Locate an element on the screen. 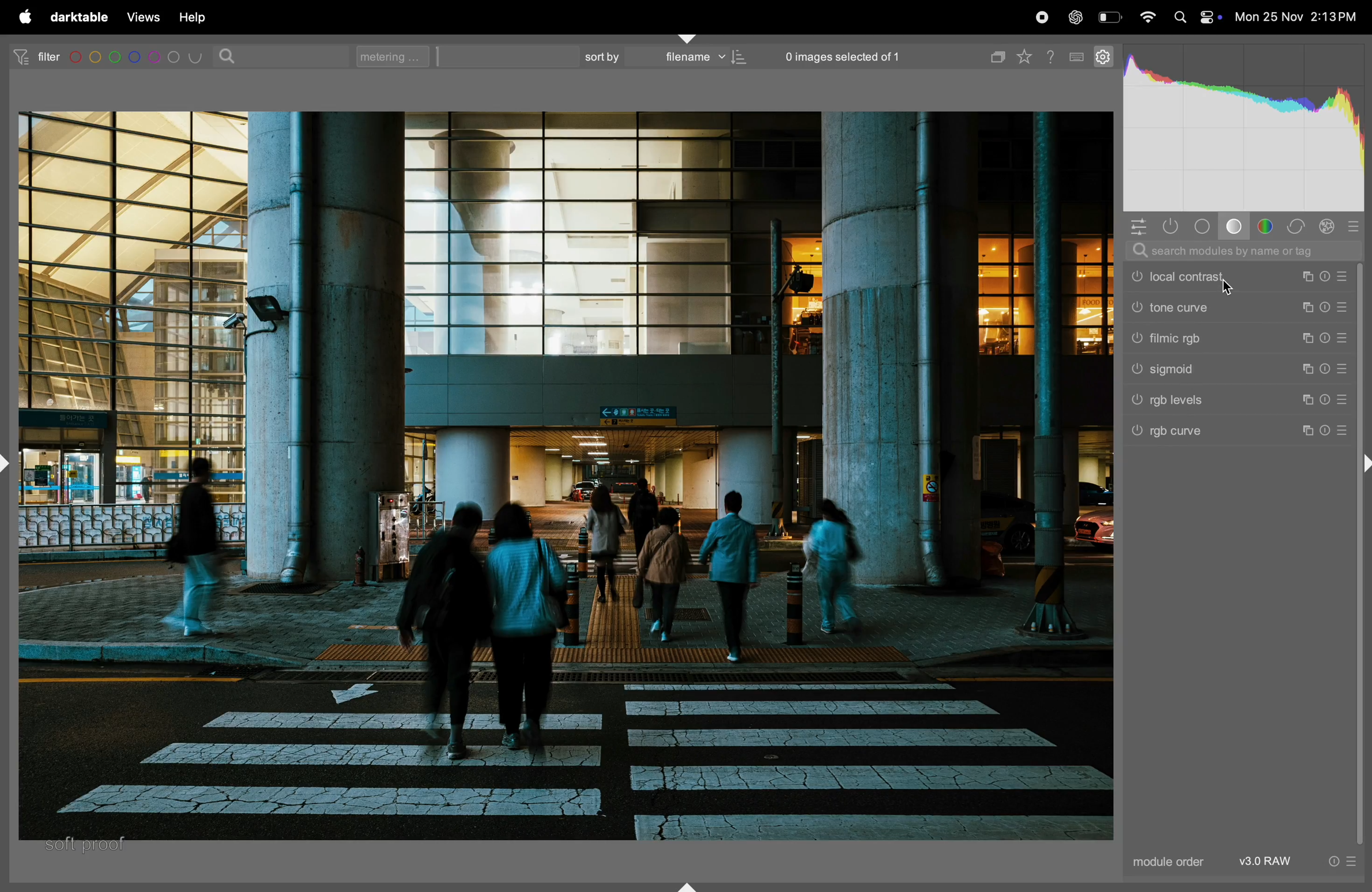 The width and height of the screenshot is (1372, 892). sigmoid switched off is located at coordinates (1137, 369).